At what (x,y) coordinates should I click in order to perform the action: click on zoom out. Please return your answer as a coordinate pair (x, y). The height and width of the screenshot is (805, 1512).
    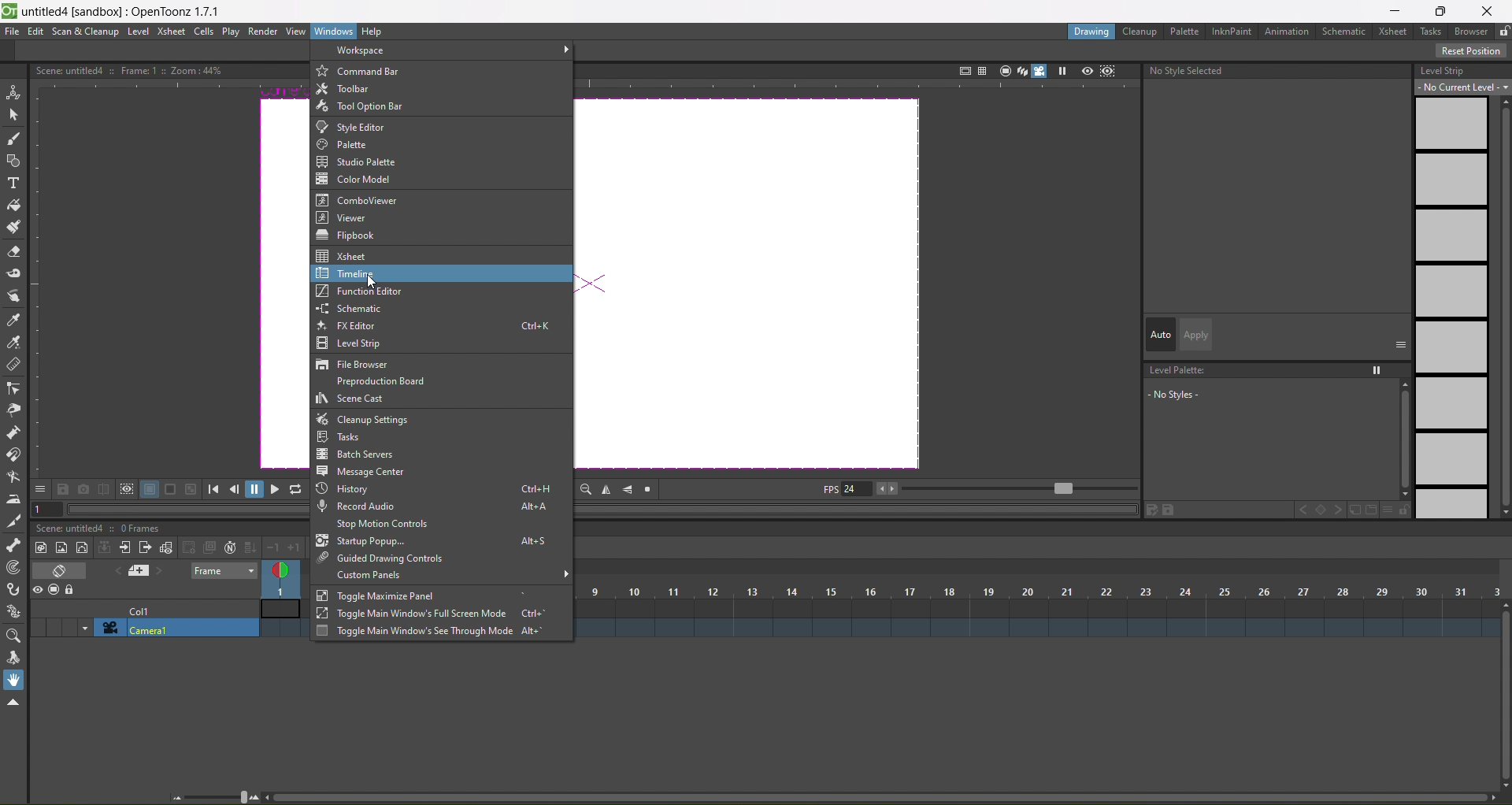
    Looking at the image, I should click on (586, 488).